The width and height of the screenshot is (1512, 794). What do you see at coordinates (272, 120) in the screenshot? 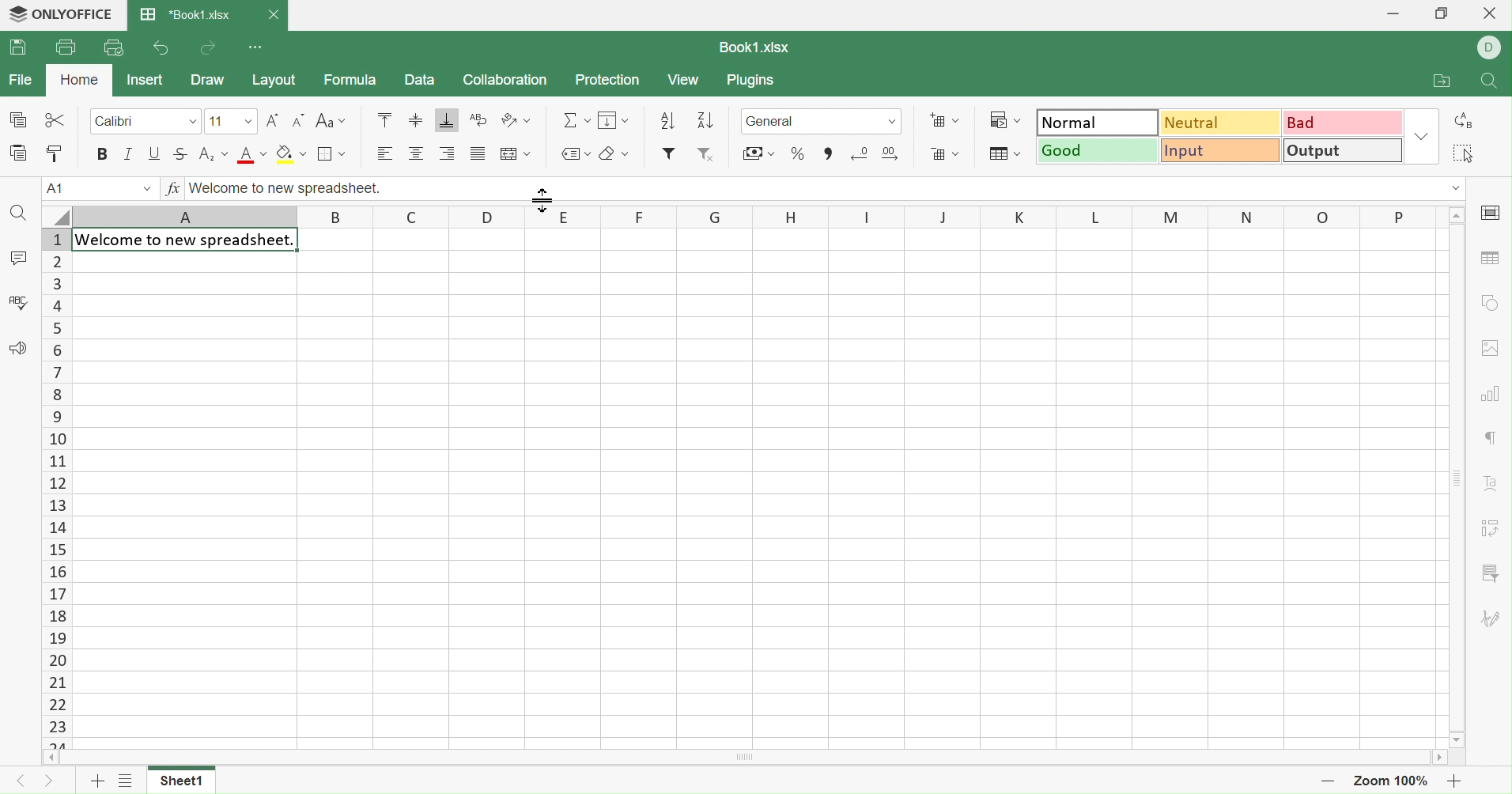
I see `Increment font size` at bounding box center [272, 120].